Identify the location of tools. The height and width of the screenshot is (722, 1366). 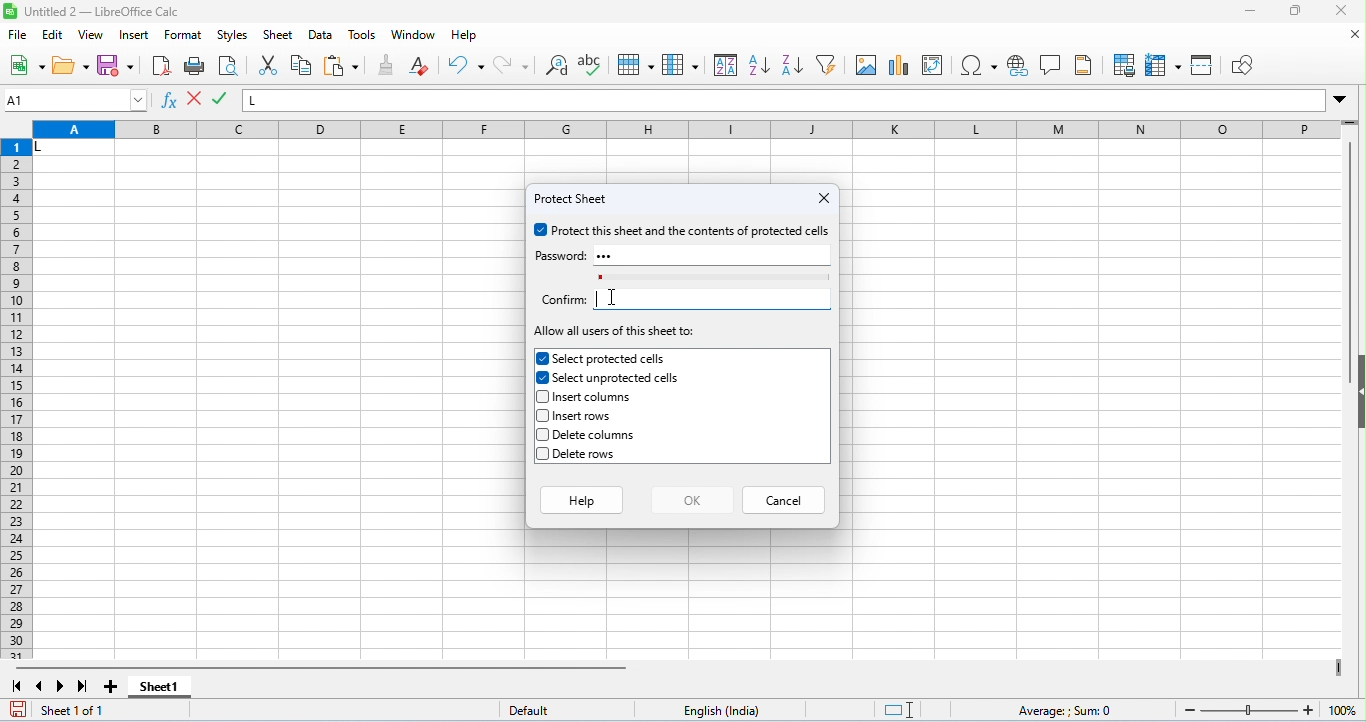
(364, 35).